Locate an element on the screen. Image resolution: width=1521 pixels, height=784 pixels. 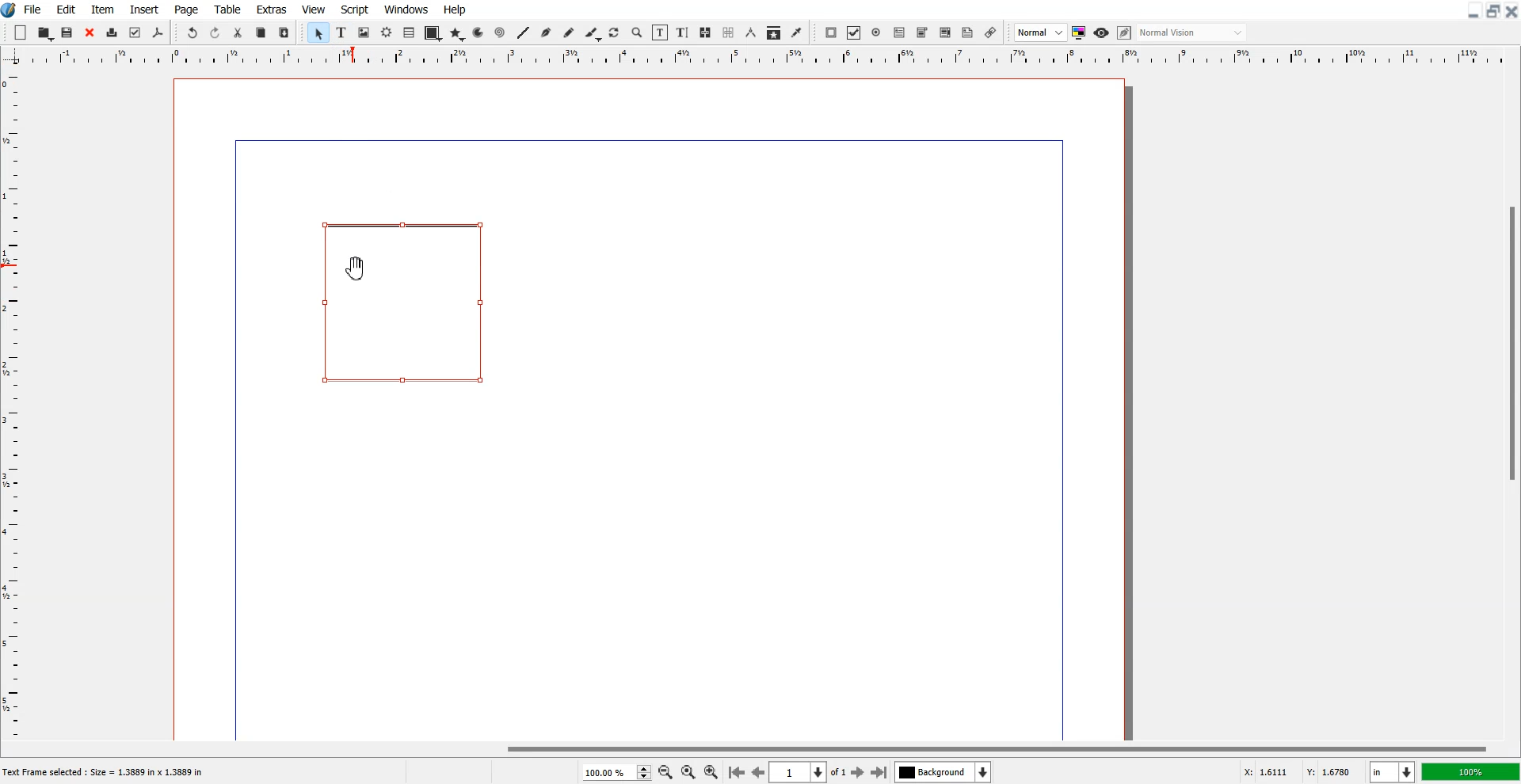
Go to Last Page is located at coordinates (879, 773).